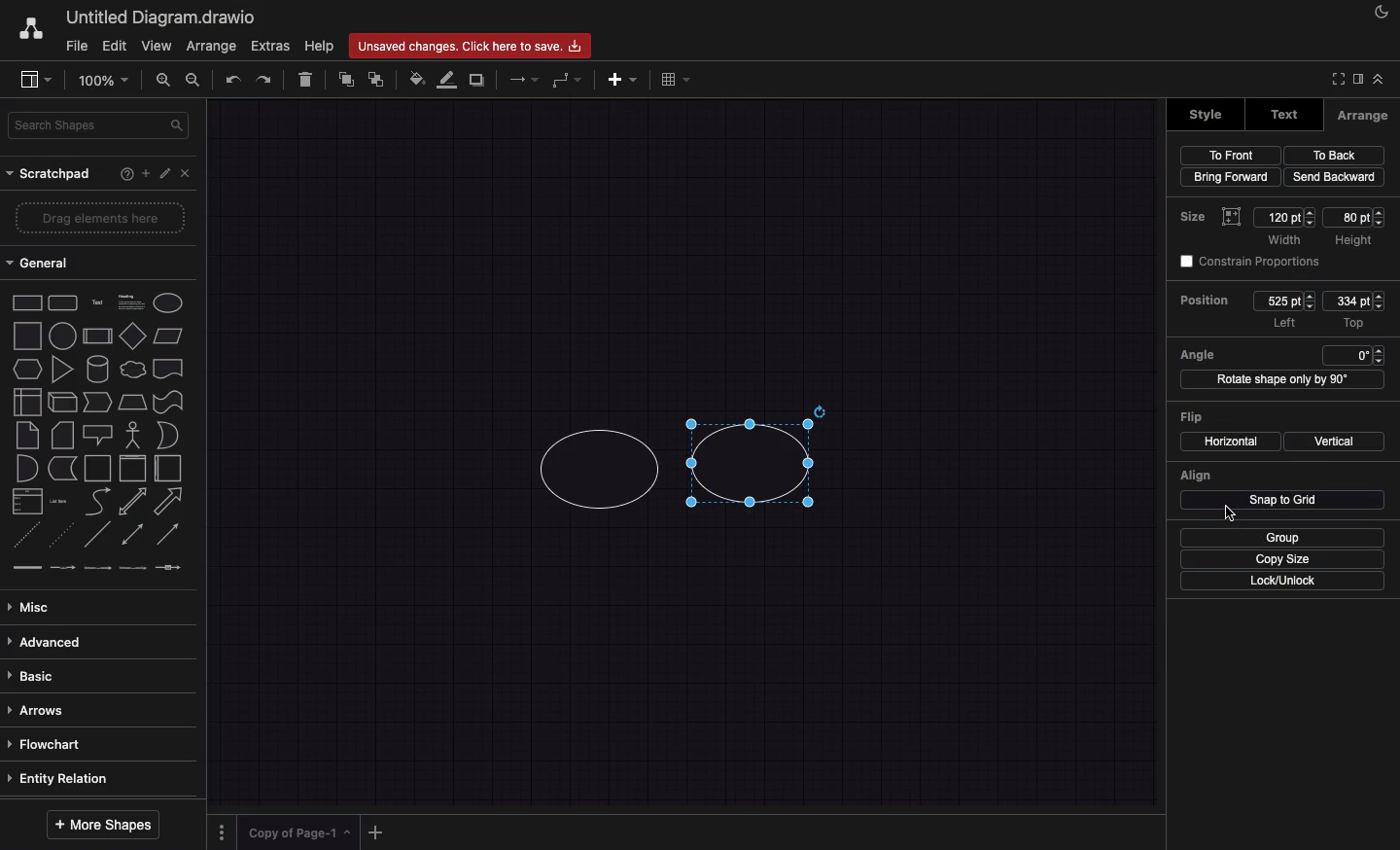  Describe the element at coordinates (134, 370) in the screenshot. I see `cloud` at that location.